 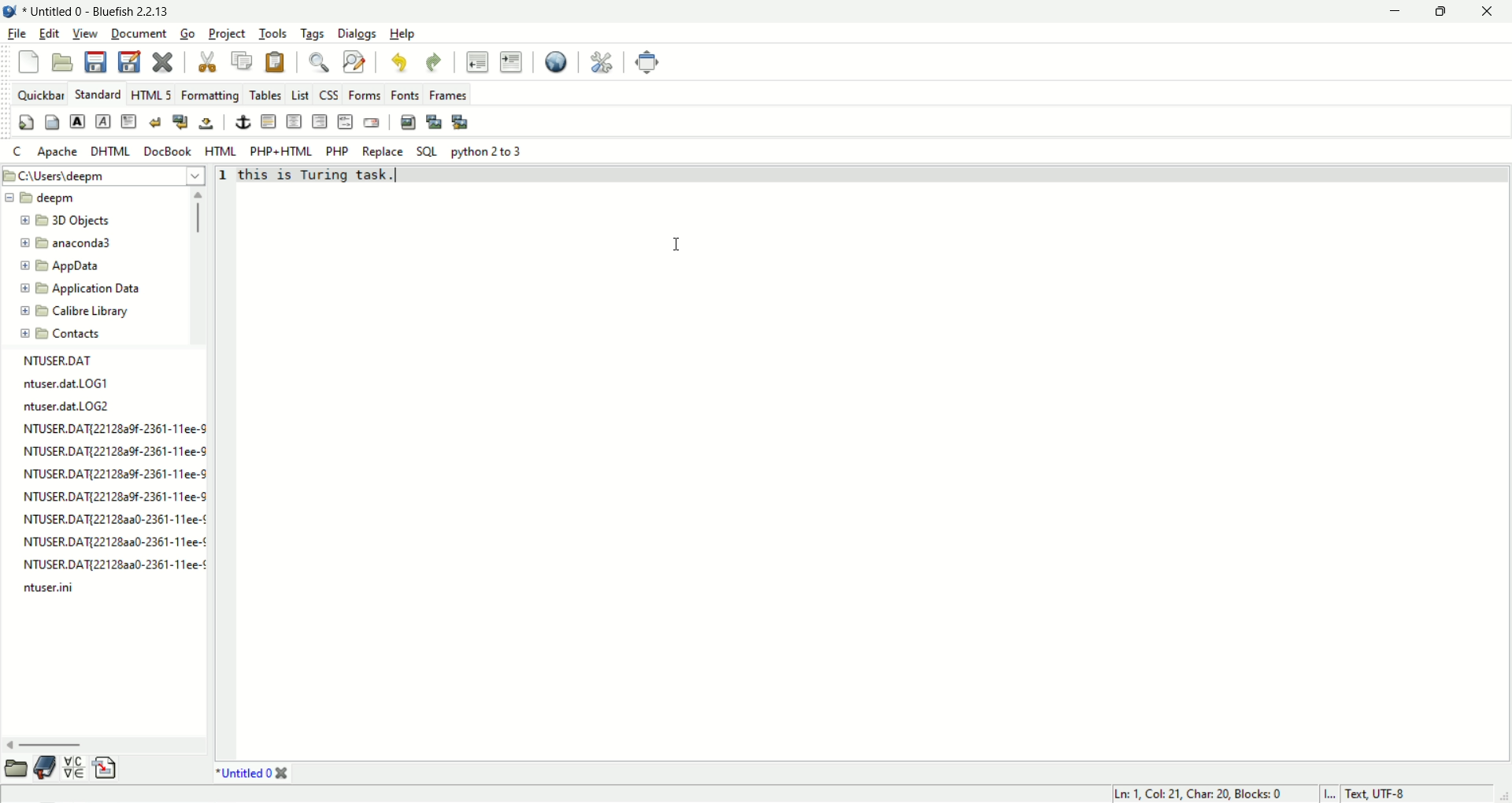 What do you see at coordinates (357, 33) in the screenshot?
I see `Dialogs` at bounding box center [357, 33].